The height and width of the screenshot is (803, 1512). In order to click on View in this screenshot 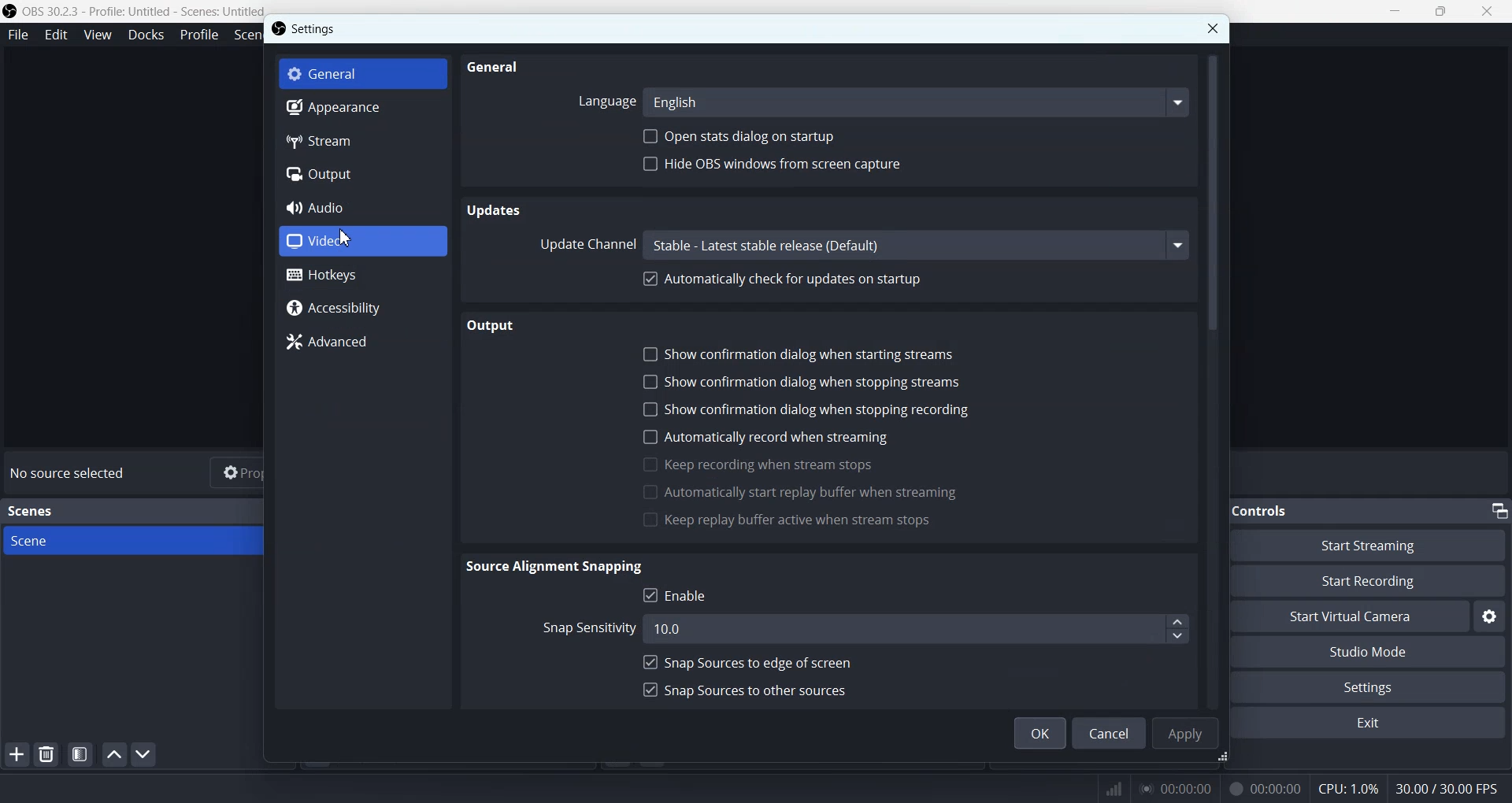, I will do `click(97, 34)`.